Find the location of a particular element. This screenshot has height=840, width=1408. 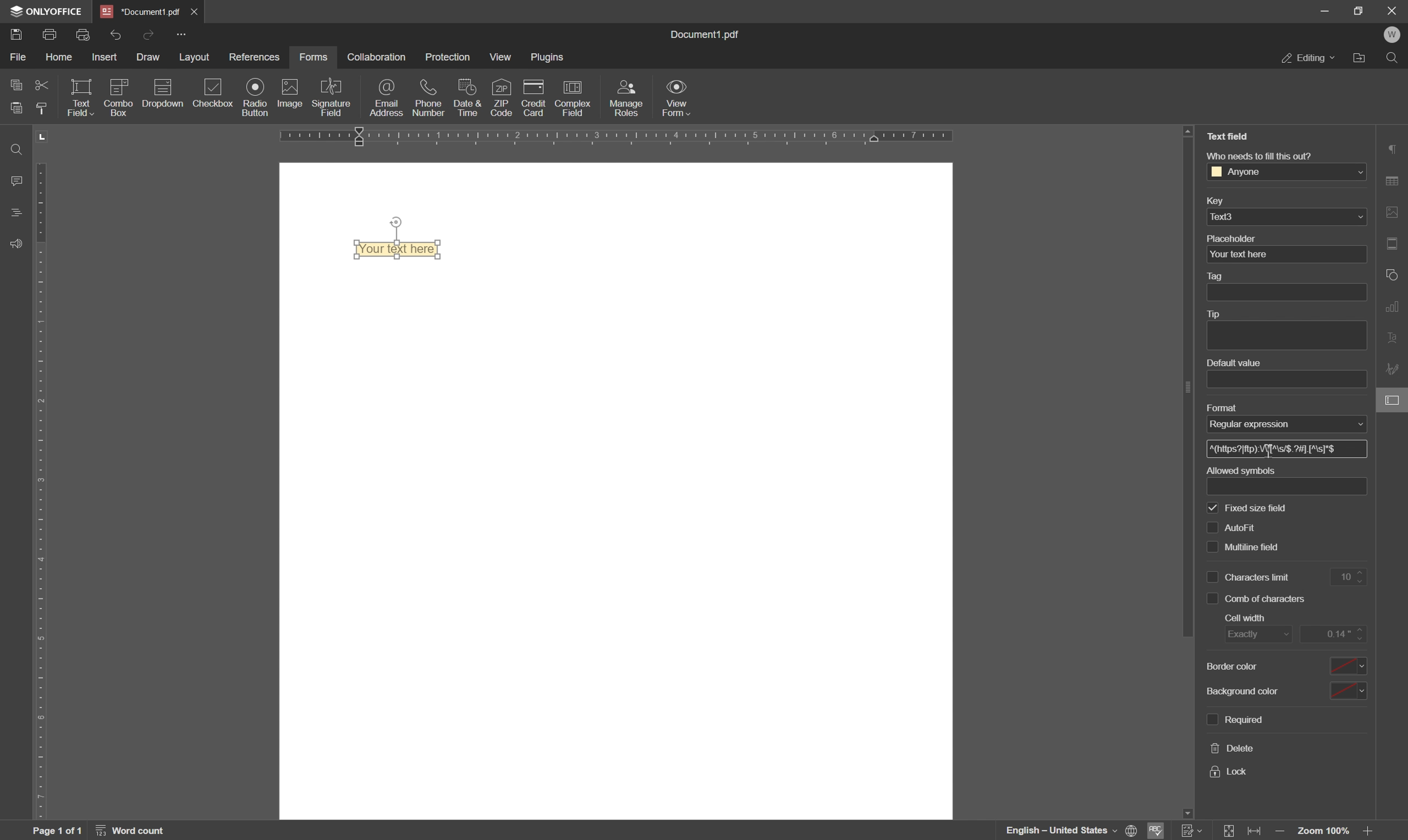

textbox is located at coordinates (1294, 486).